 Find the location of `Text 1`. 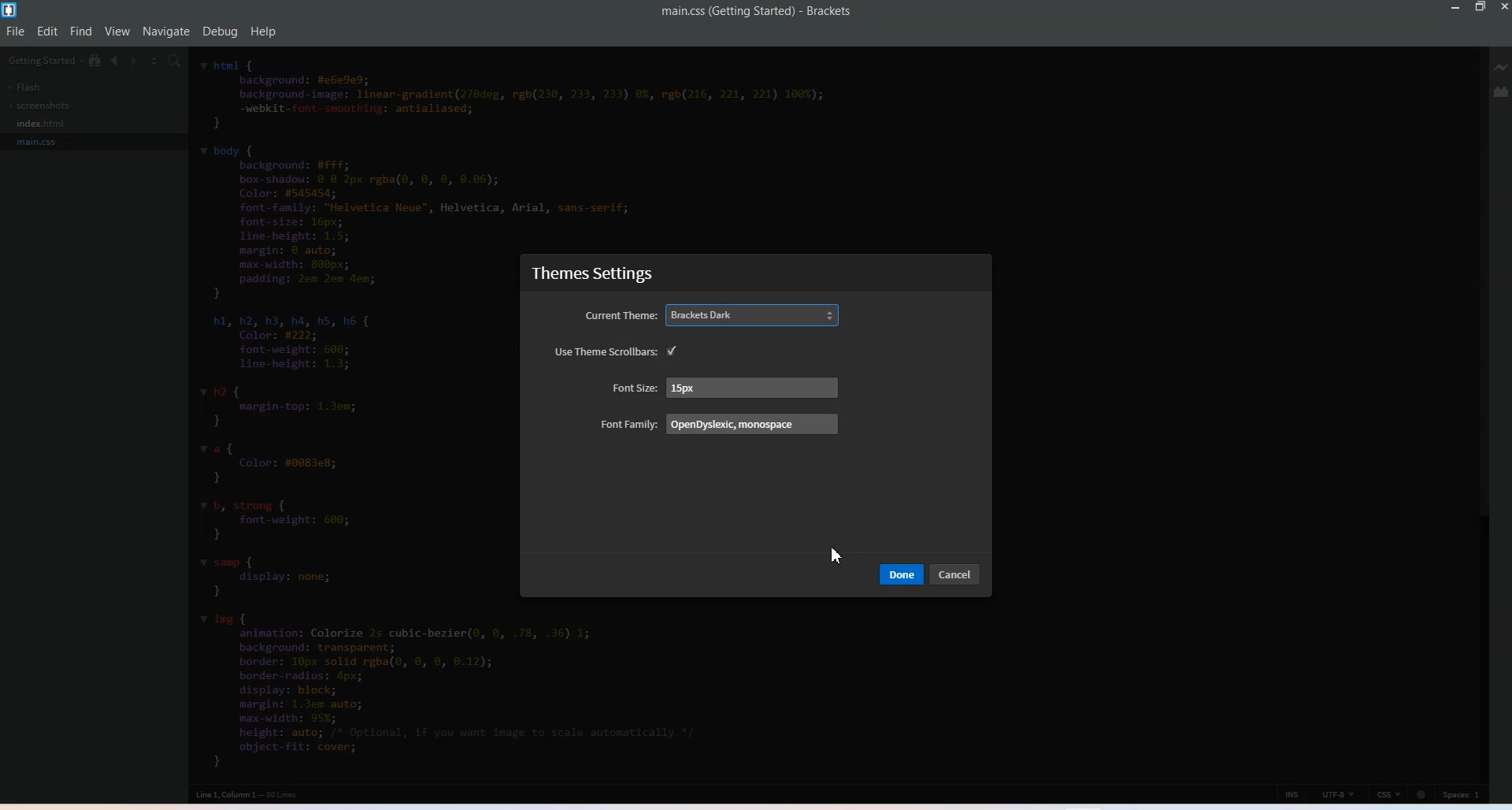

Text 1 is located at coordinates (757, 12).